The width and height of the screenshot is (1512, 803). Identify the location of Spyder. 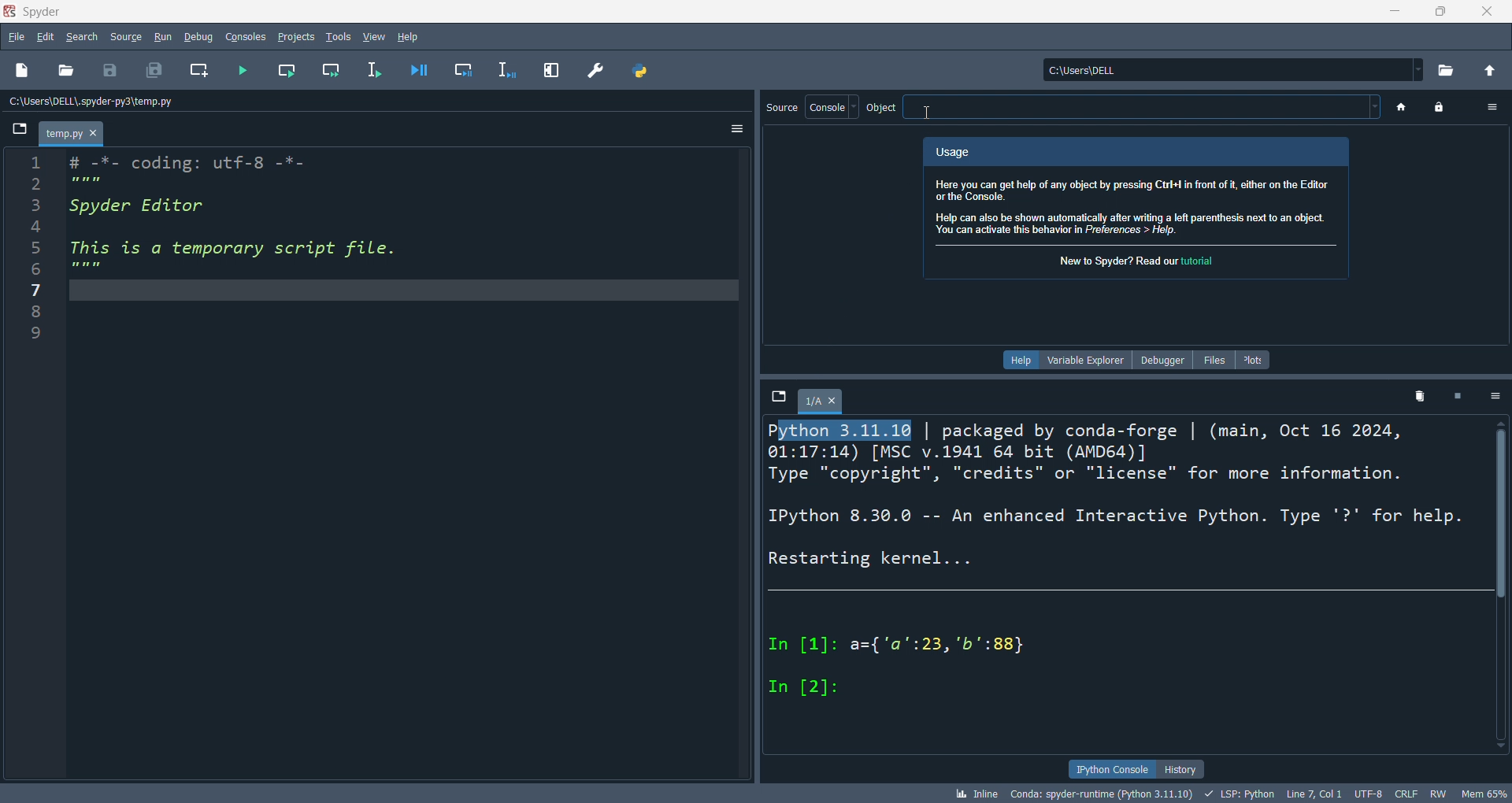
(49, 12).